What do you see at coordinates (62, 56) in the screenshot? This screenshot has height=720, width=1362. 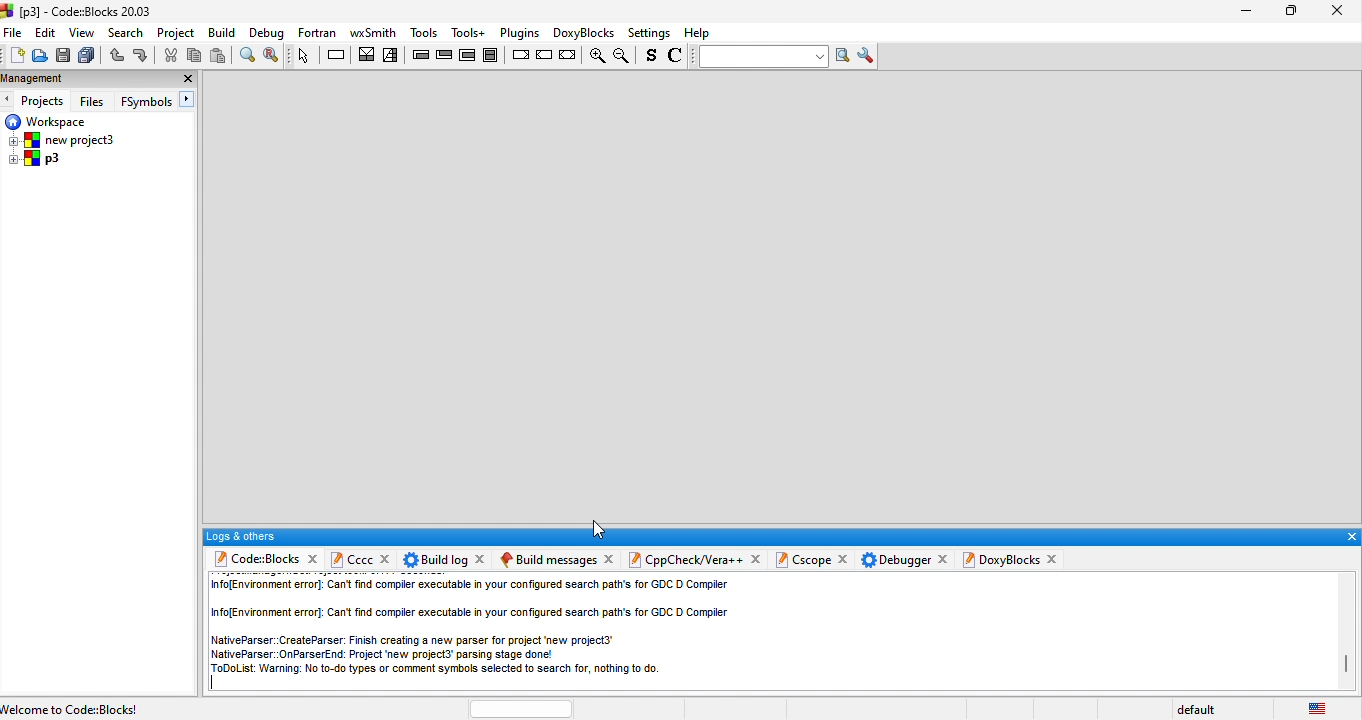 I see `save` at bounding box center [62, 56].